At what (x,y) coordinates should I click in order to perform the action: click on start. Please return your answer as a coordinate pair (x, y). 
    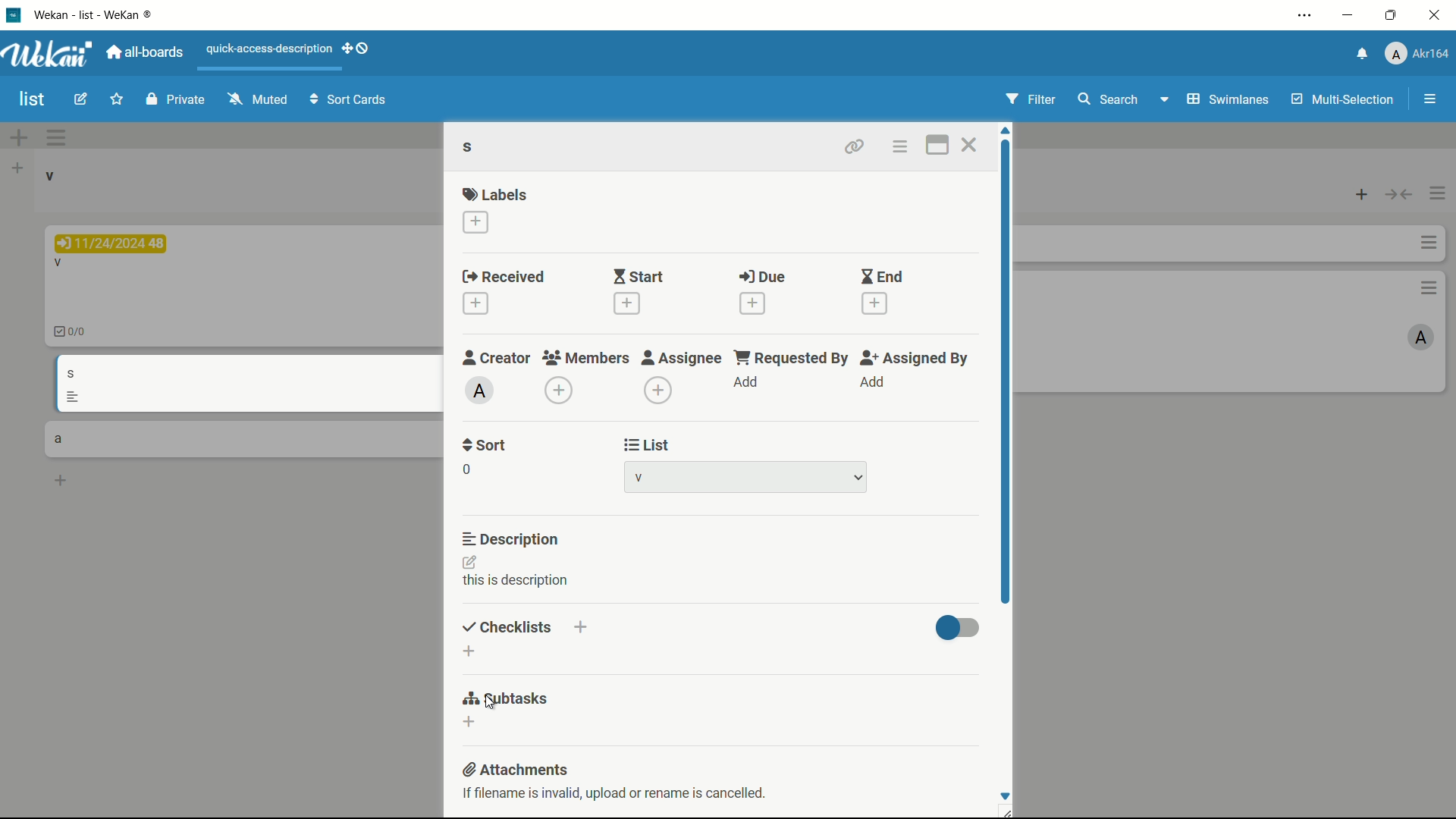
    Looking at the image, I should click on (640, 277).